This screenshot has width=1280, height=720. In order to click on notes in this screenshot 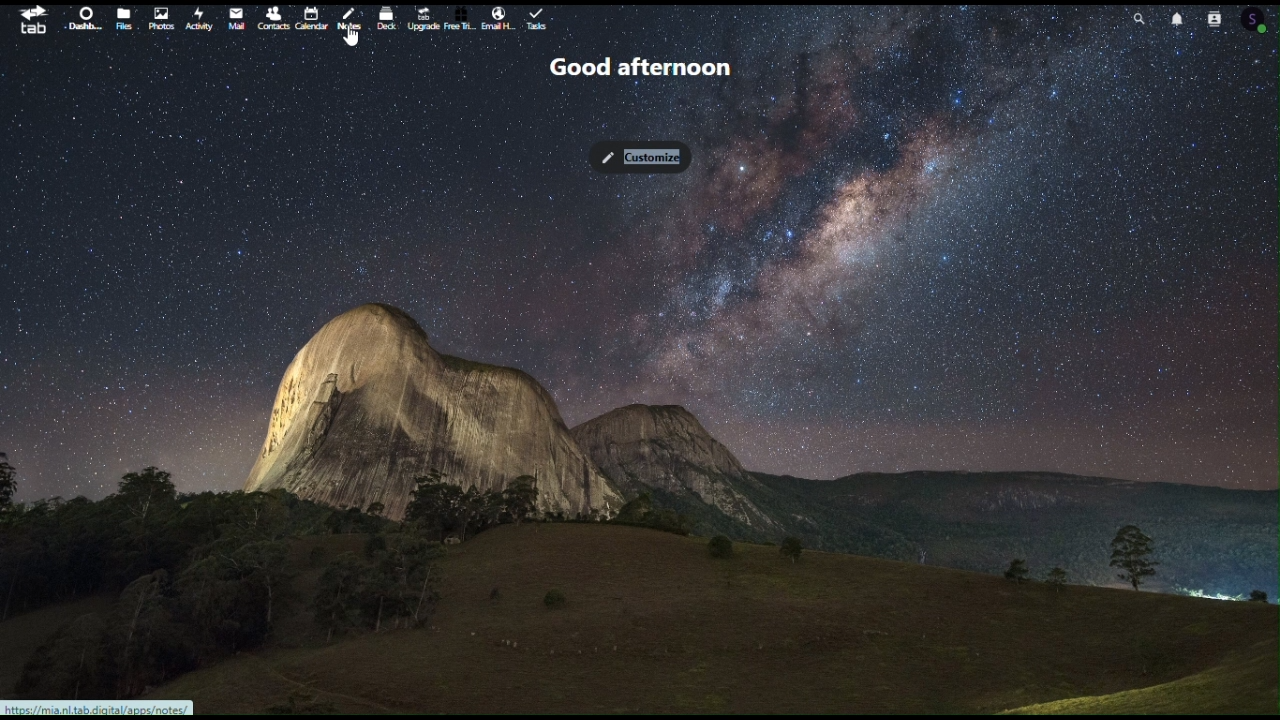, I will do `click(351, 22)`.